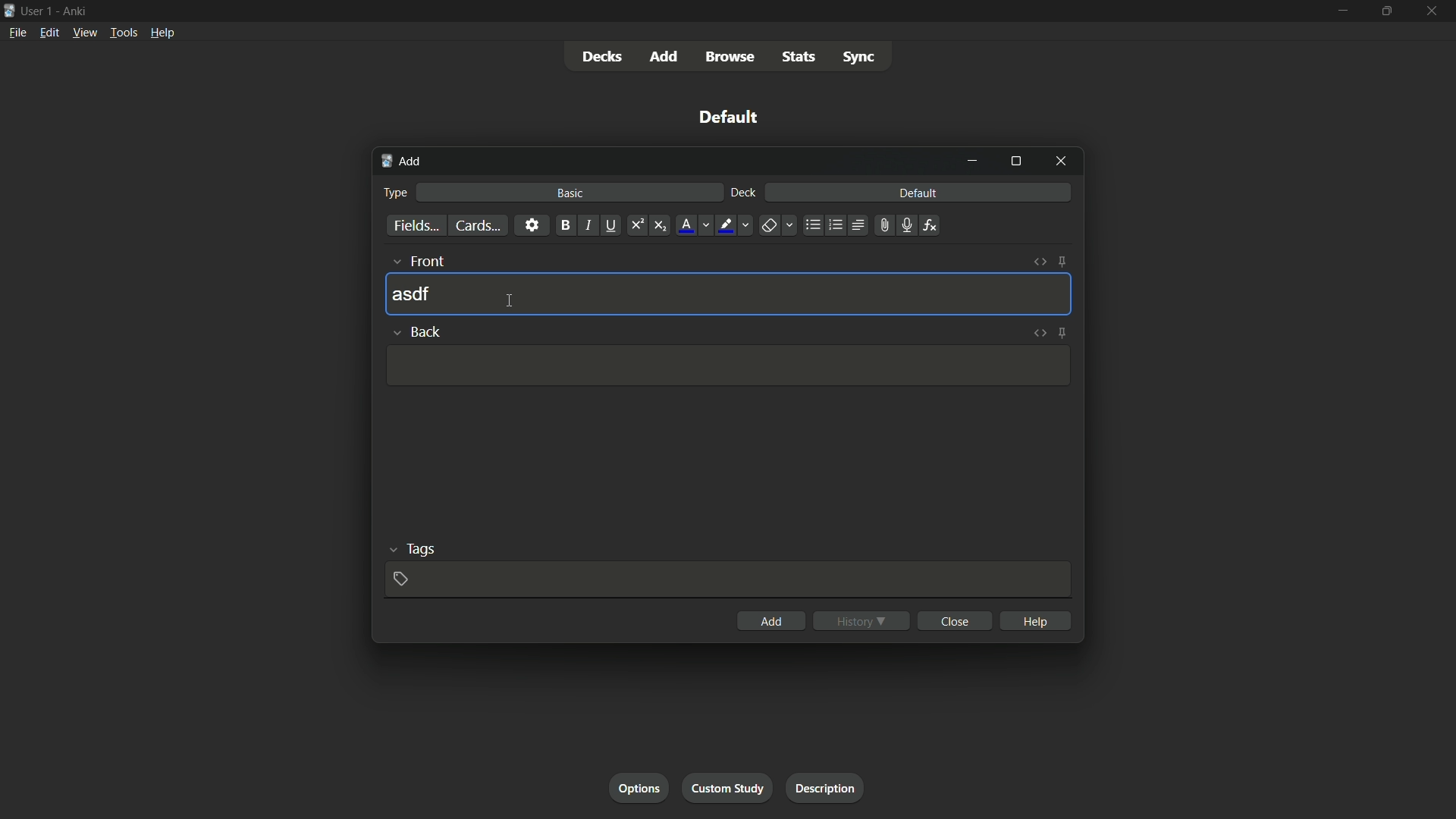 The width and height of the screenshot is (1456, 819). Describe the element at coordinates (15, 32) in the screenshot. I see `file` at that location.